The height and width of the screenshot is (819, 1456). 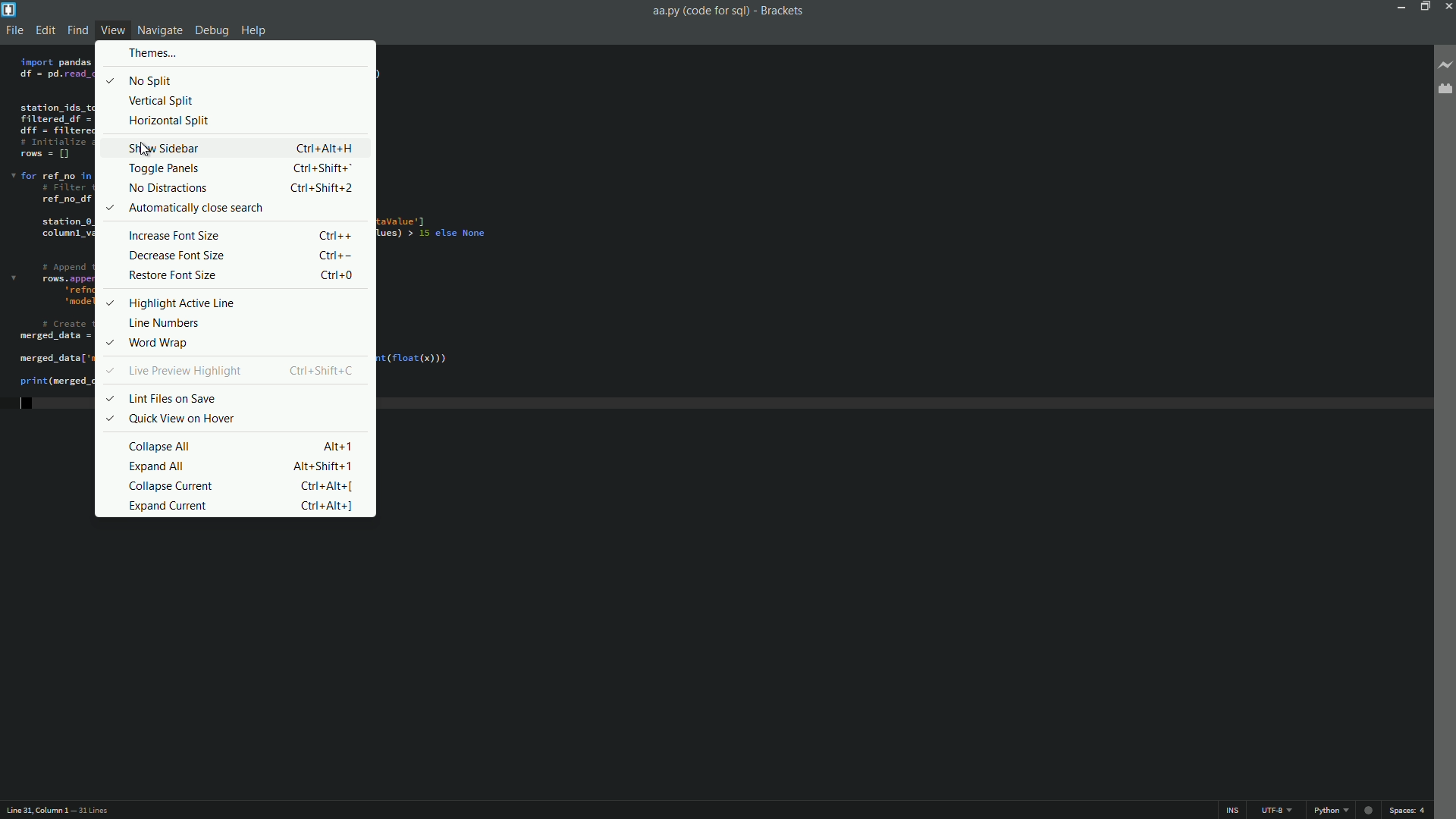 I want to click on collapse current, so click(x=243, y=485).